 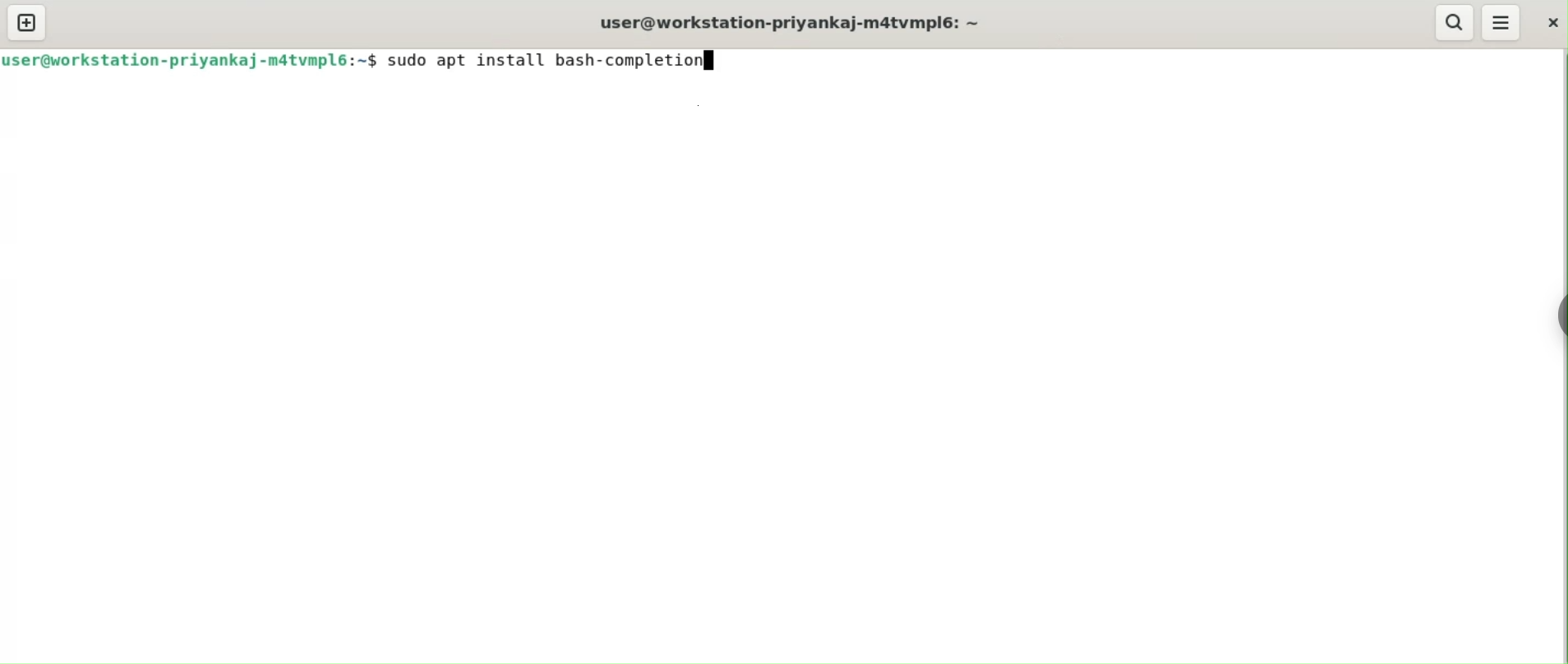 I want to click on close, so click(x=1549, y=25).